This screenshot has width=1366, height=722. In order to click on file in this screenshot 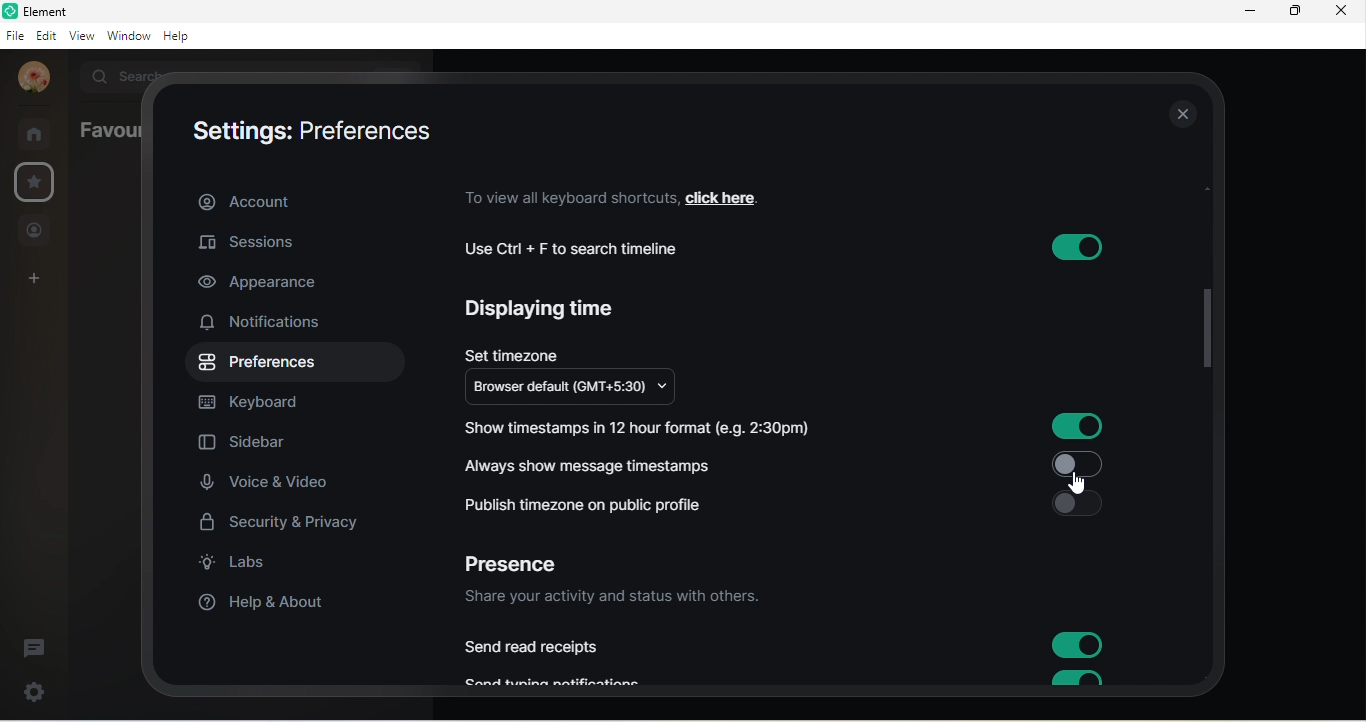, I will do `click(14, 35)`.